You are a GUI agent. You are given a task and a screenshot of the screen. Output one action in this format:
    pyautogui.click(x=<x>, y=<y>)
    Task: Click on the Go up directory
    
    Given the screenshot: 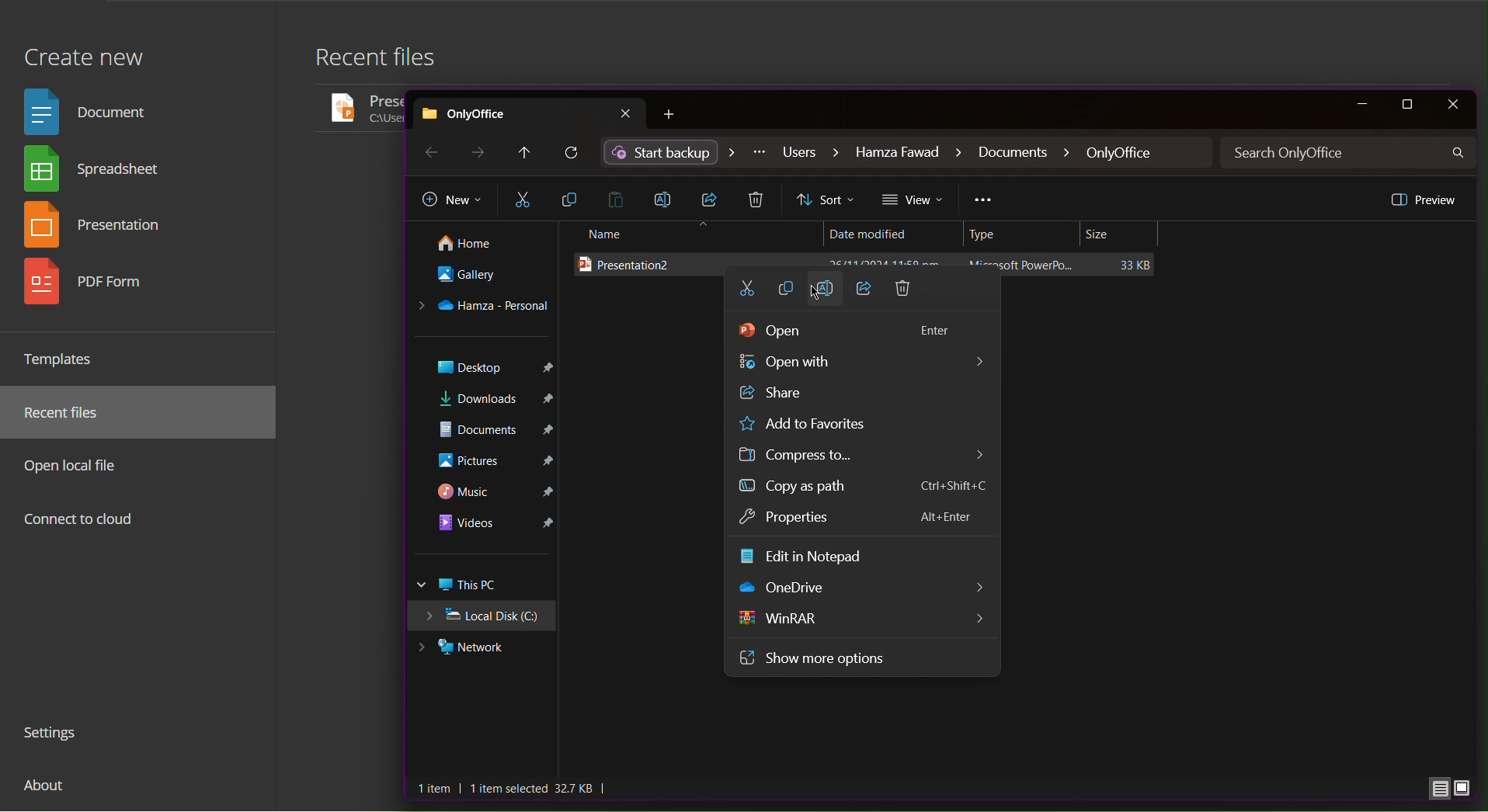 What is the action you would take?
    pyautogui.click(x=523, y=153)
    